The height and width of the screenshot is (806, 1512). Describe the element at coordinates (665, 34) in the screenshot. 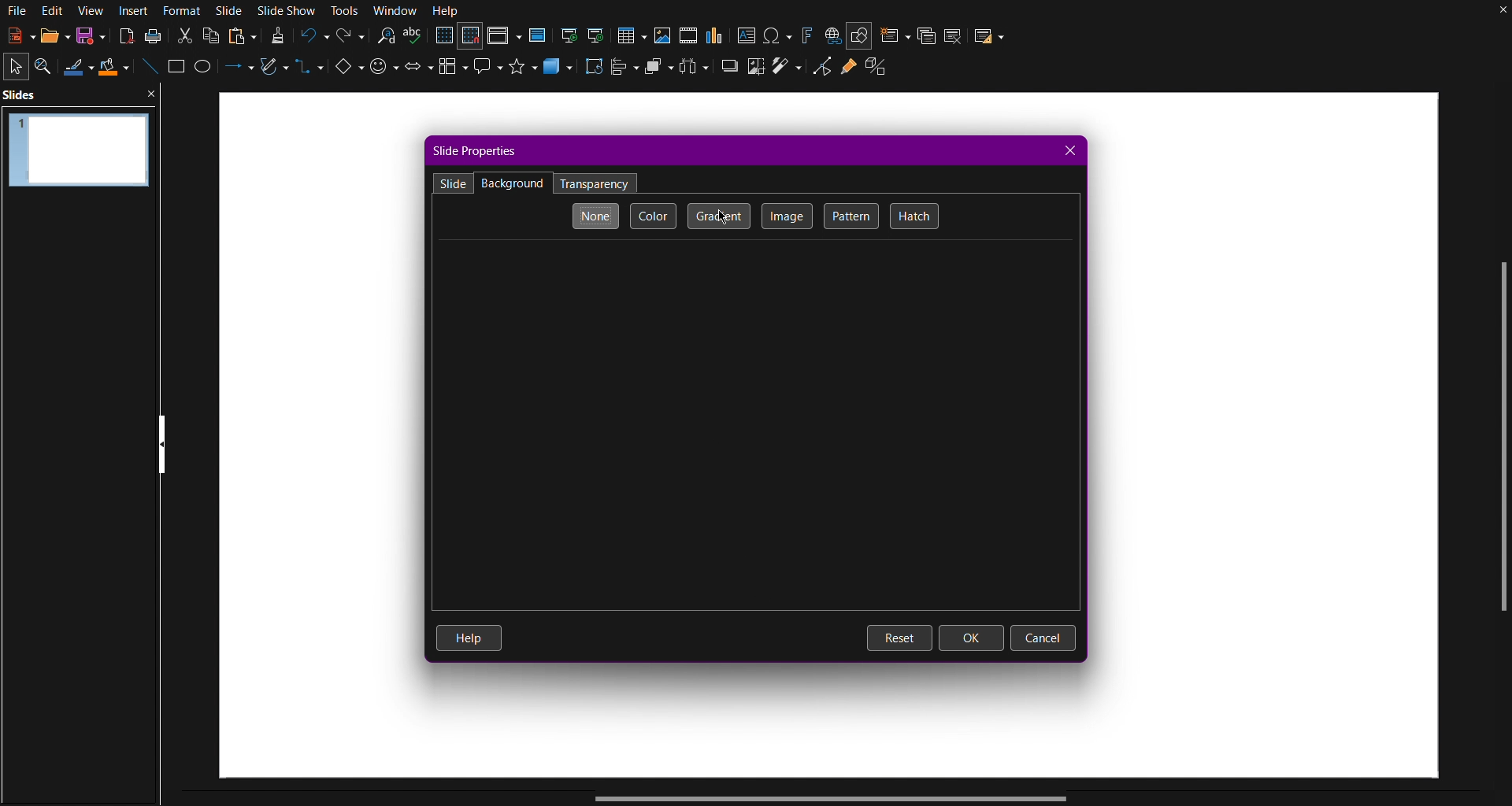

I see `Insert Image` at that location.